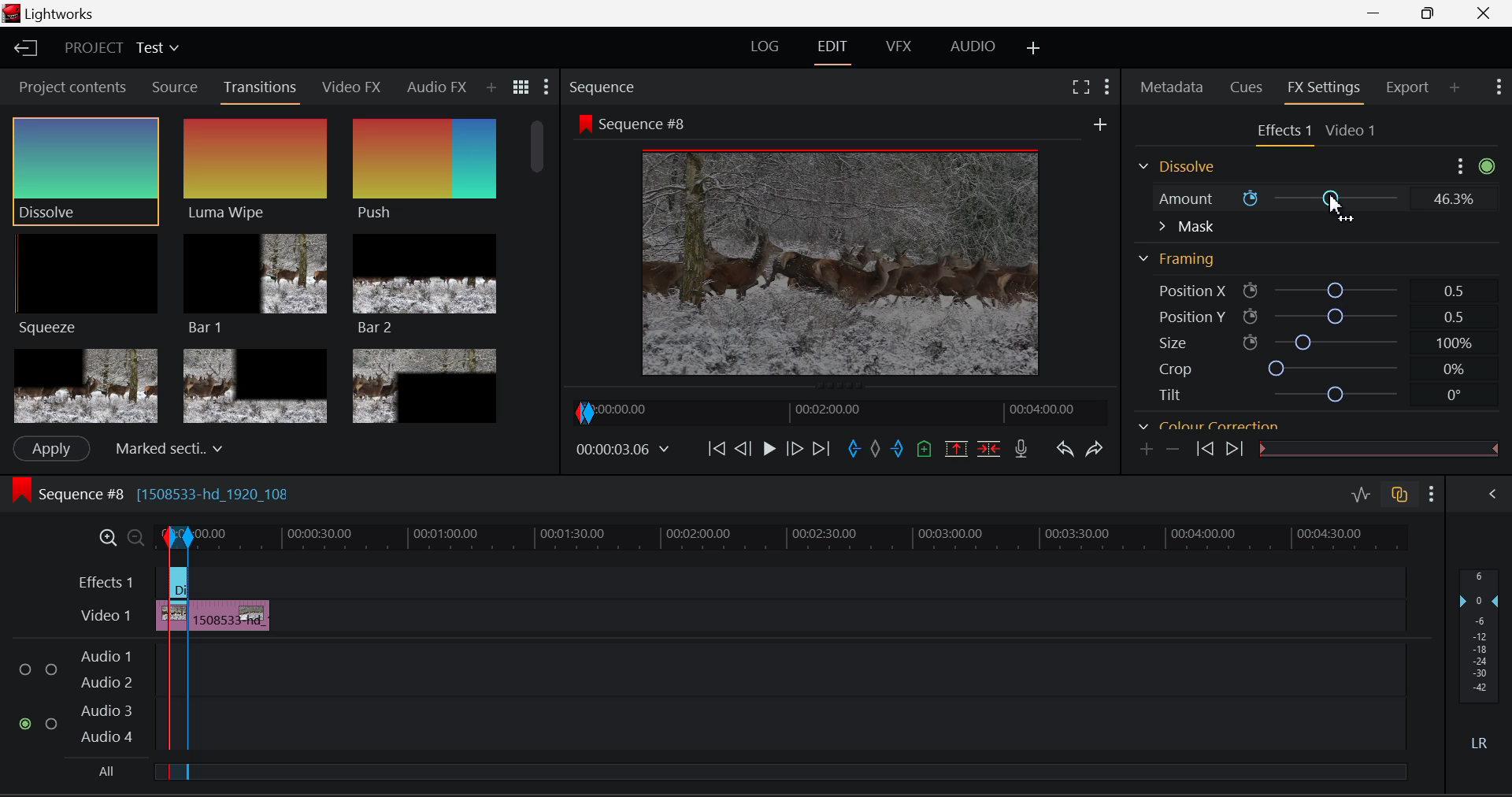 This screenshot has height=797, width=1512. I want to click on Box 3, so click(426, 383).